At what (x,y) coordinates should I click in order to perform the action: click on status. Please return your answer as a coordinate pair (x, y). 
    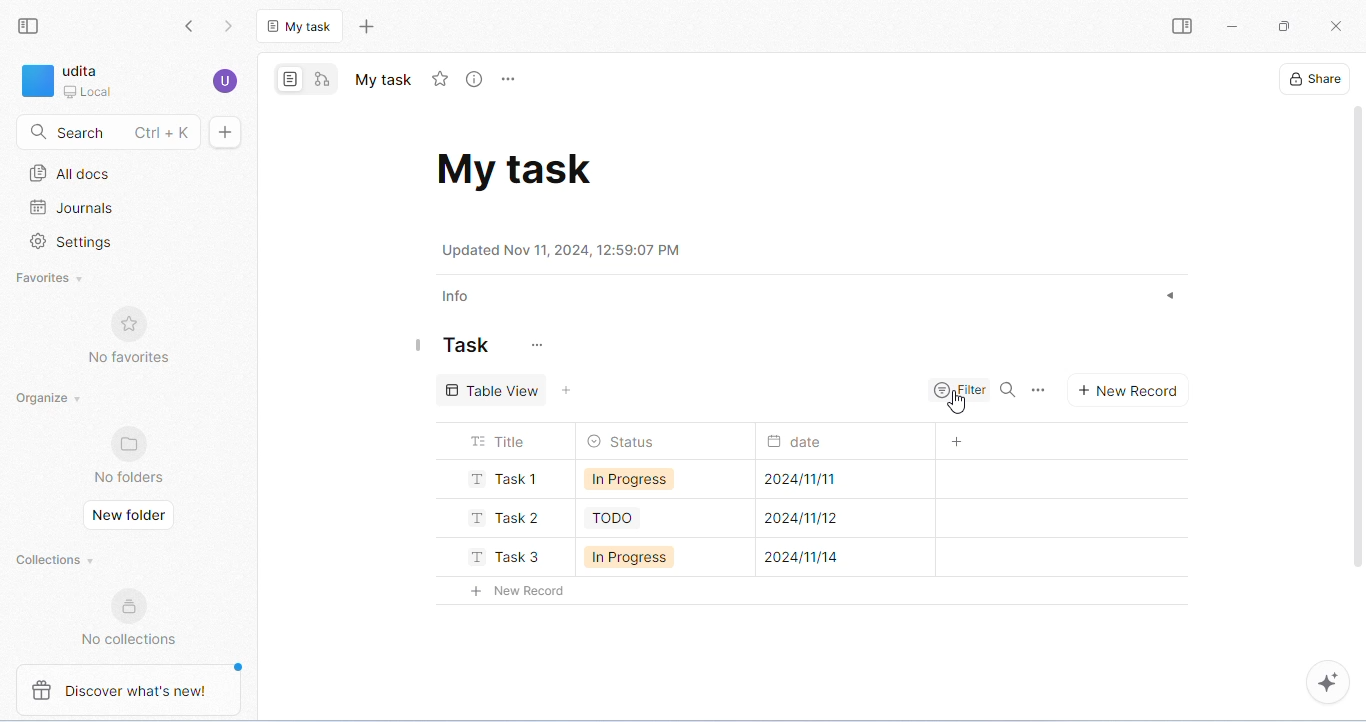
    Looking at the image, I should click on (620, 441).